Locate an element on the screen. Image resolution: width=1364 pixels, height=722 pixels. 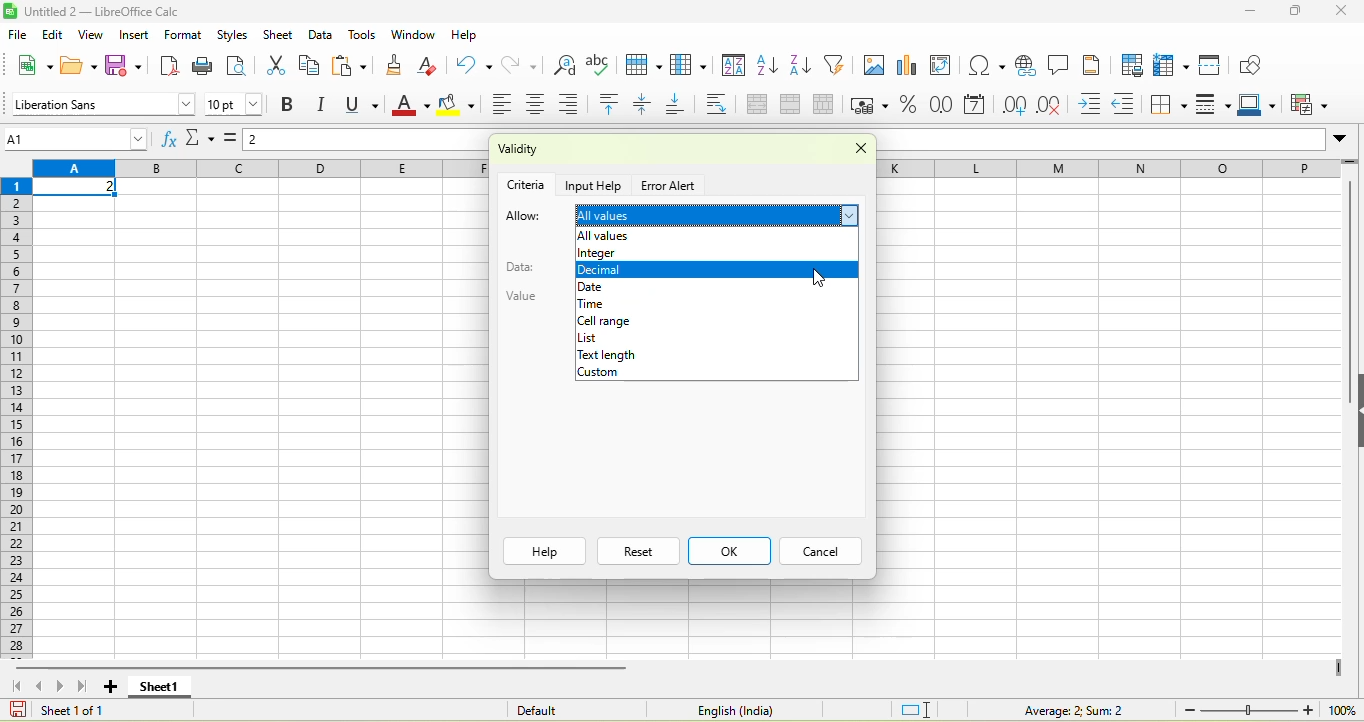
integer is located at coordinates (716, 253).